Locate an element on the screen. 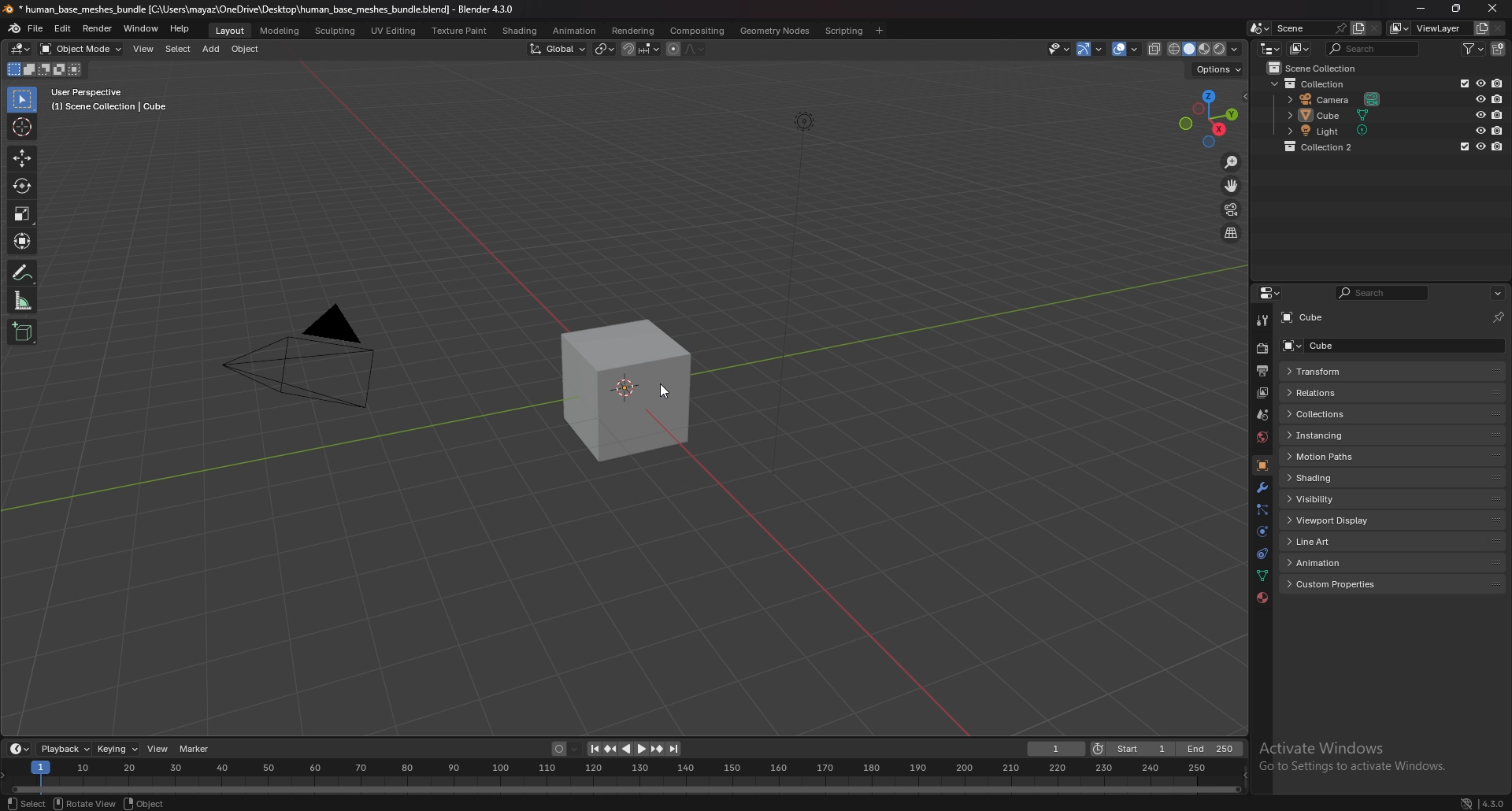  object mode is located at coordinates (80, 49).